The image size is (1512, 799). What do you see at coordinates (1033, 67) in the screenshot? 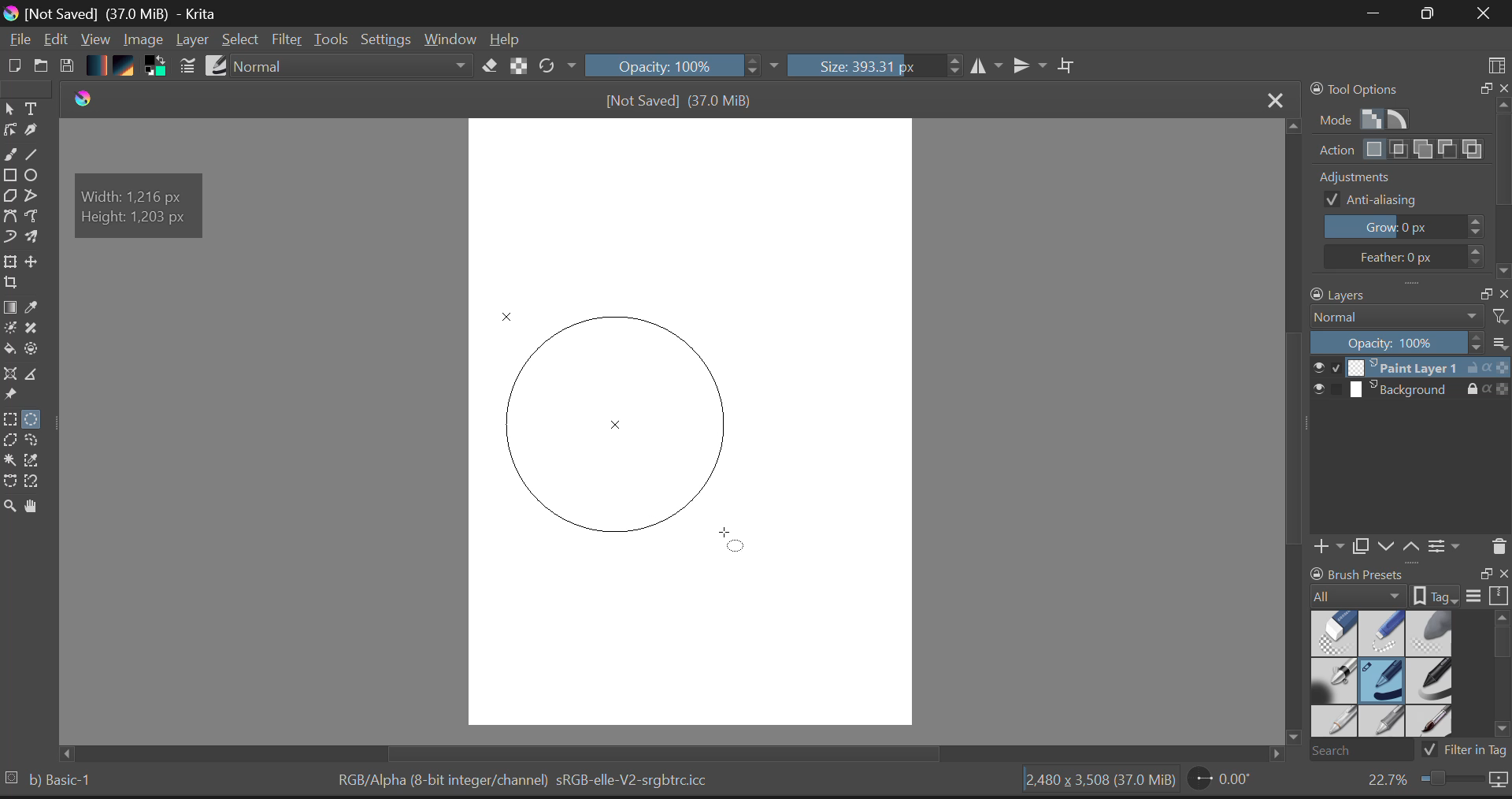
I see `Horizontal Mirror Flip` at bounding box center [1033, 67].